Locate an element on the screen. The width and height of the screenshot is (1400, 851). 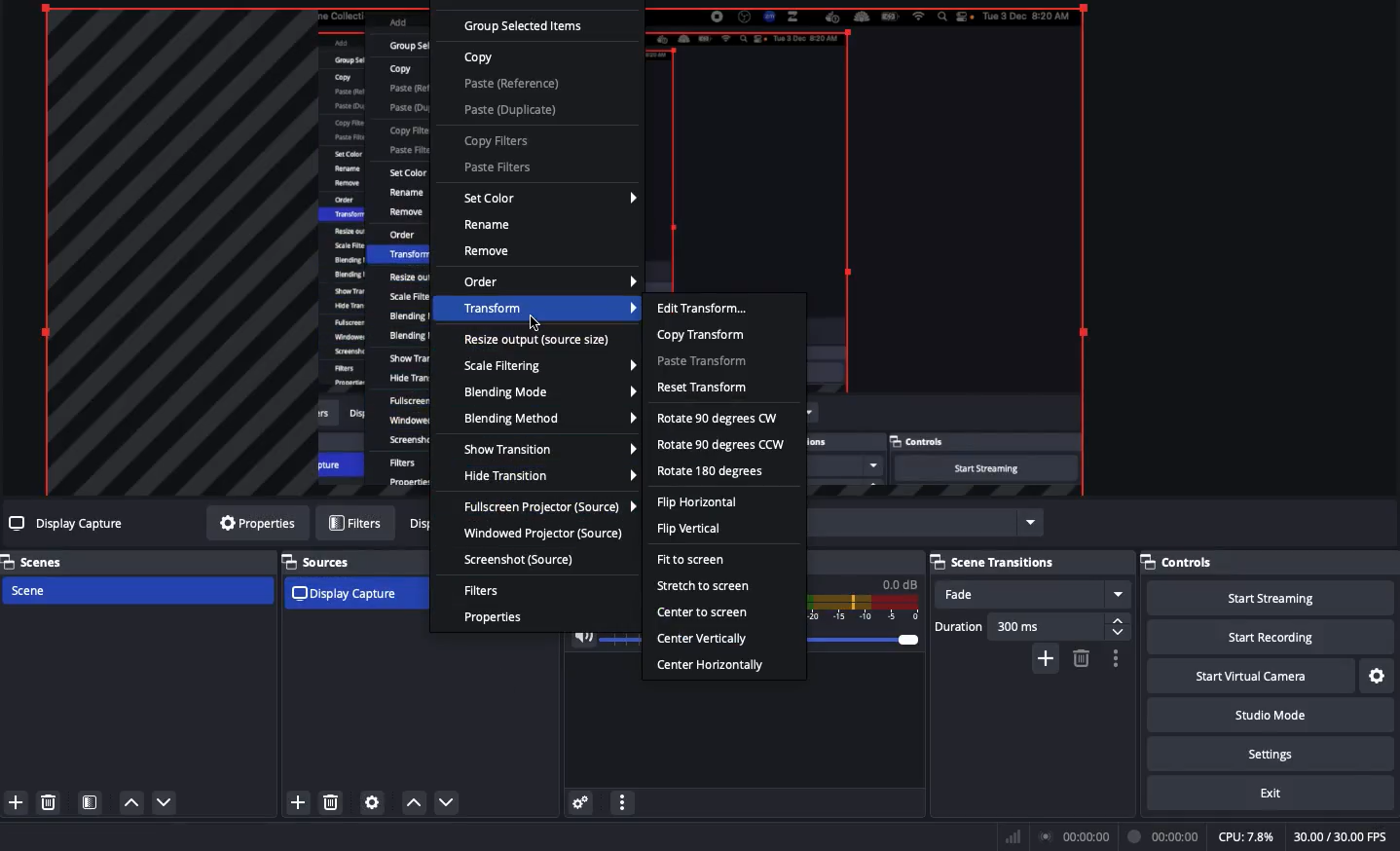
Audio preferences is located at coordinates (584, 803).